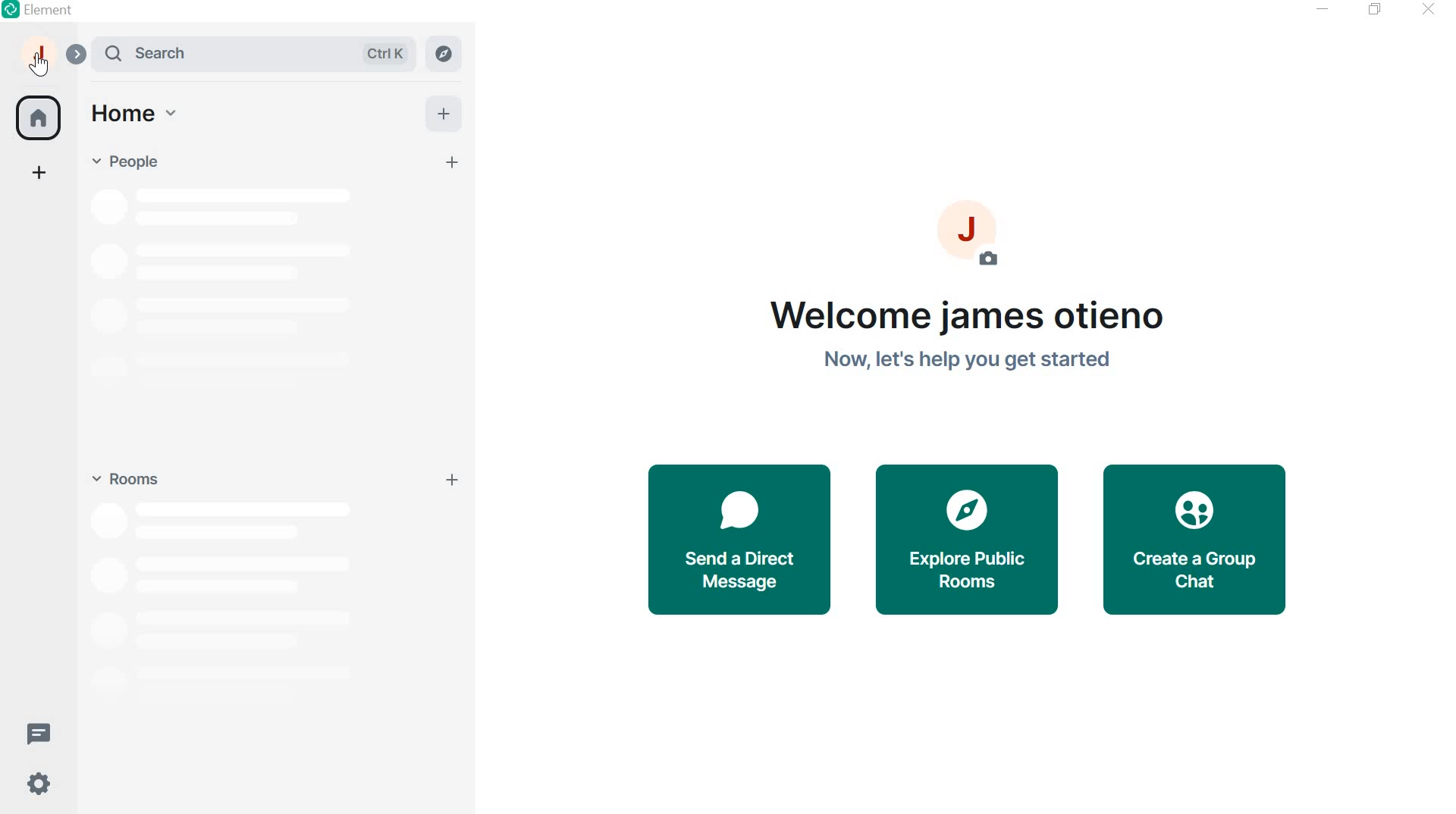 This screenshot has height=814, width=1456. Describe the element at coordinates (738, 538) in the screenshot. I see `SEND A DIRECT MESSAGE` at that location.